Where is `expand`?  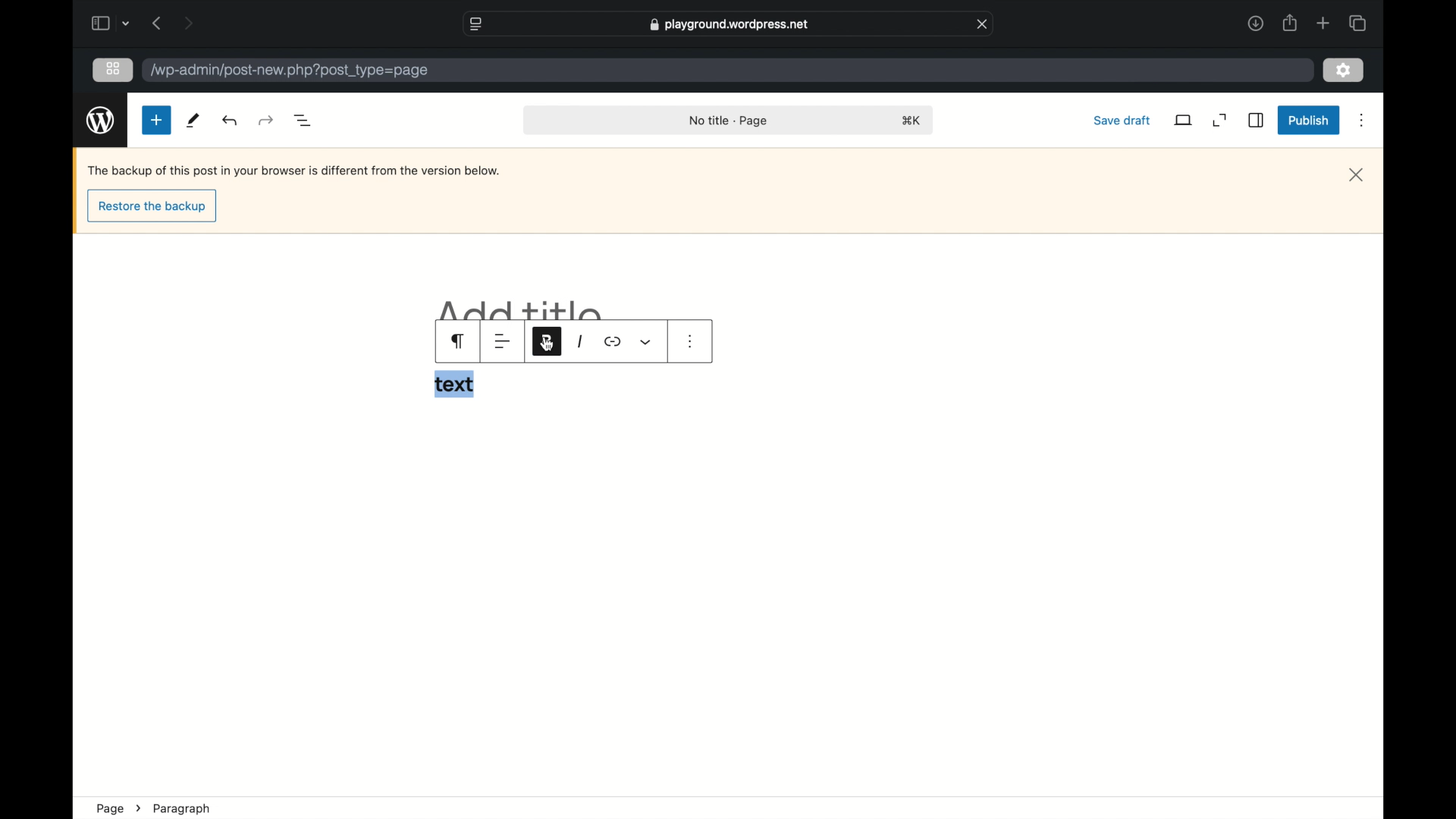
expand is located at coordinates (1220, 121).